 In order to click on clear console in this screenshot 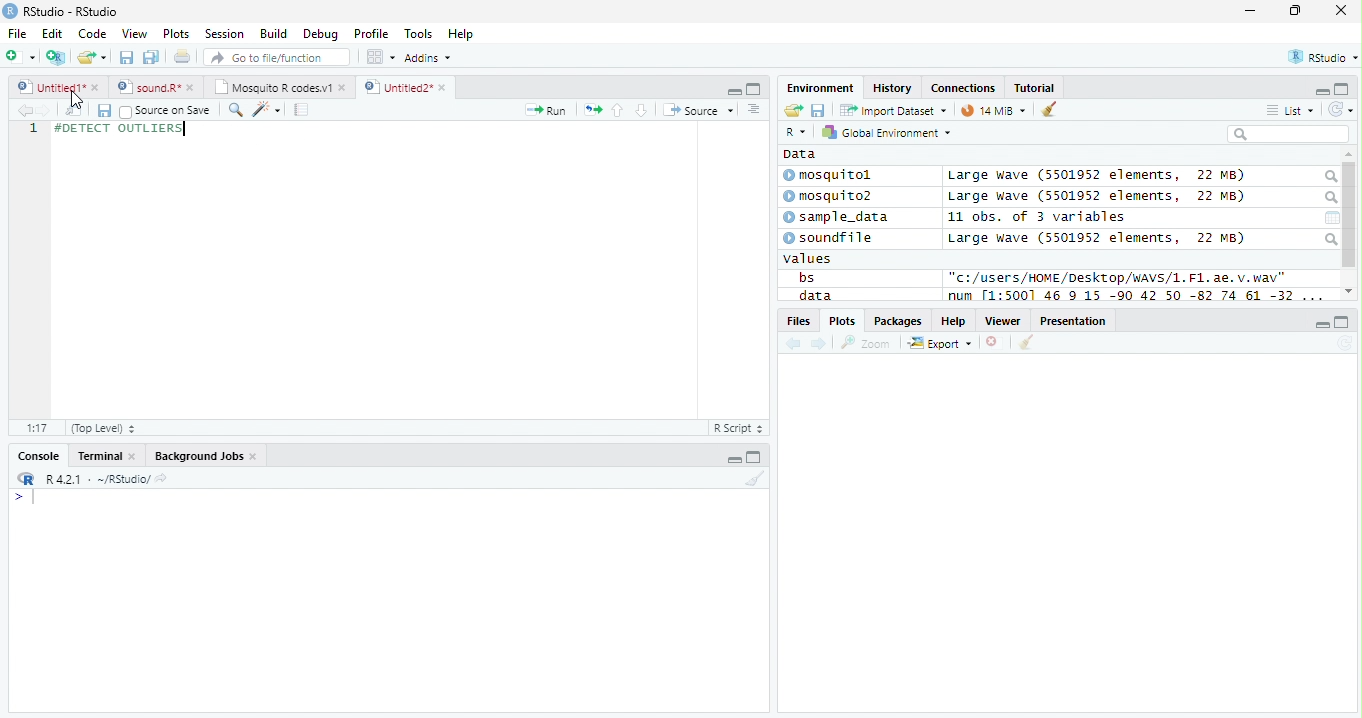, I will do `click(1049, 108)`.